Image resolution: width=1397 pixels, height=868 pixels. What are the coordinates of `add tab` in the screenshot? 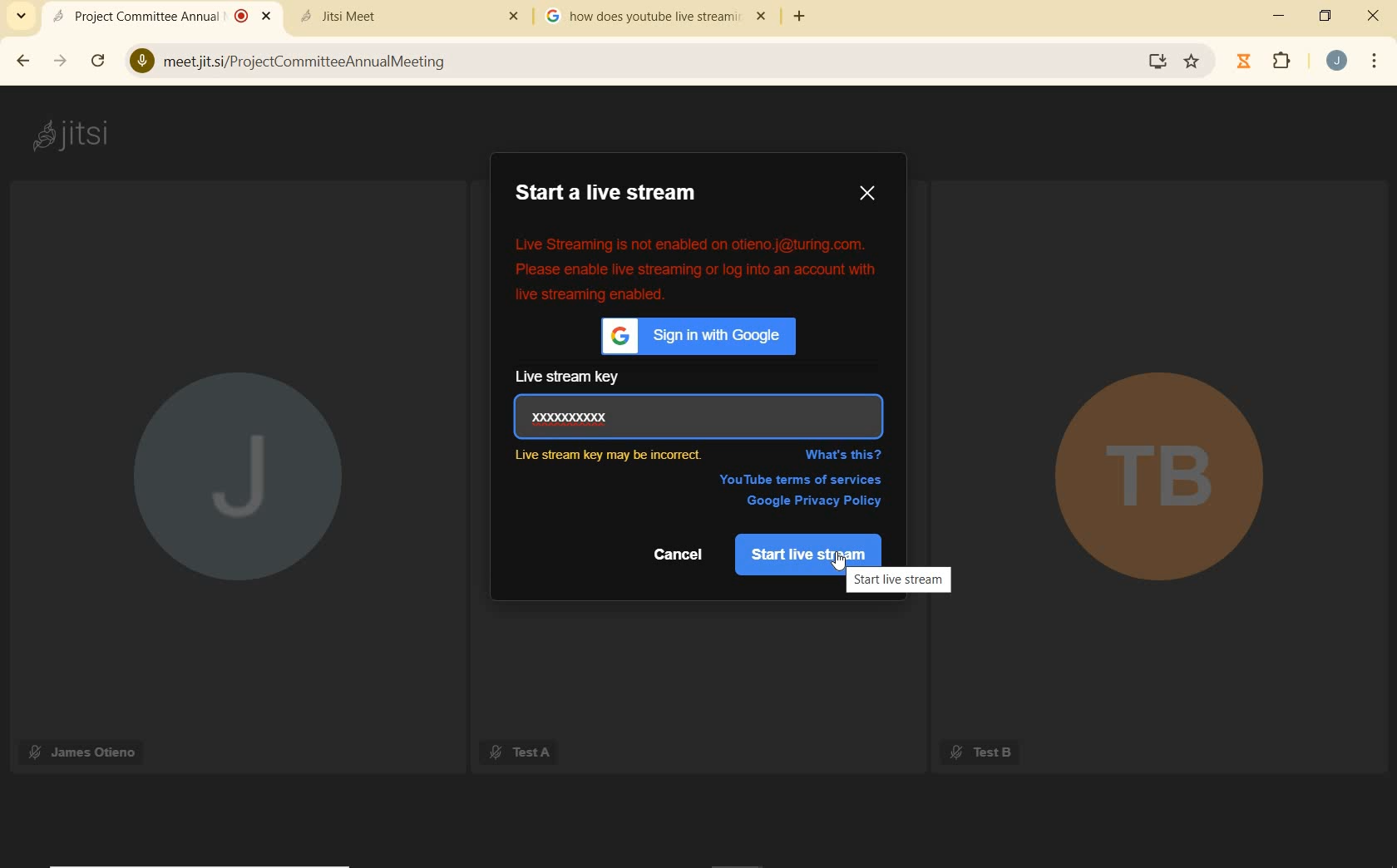 It's located at (805, 17).